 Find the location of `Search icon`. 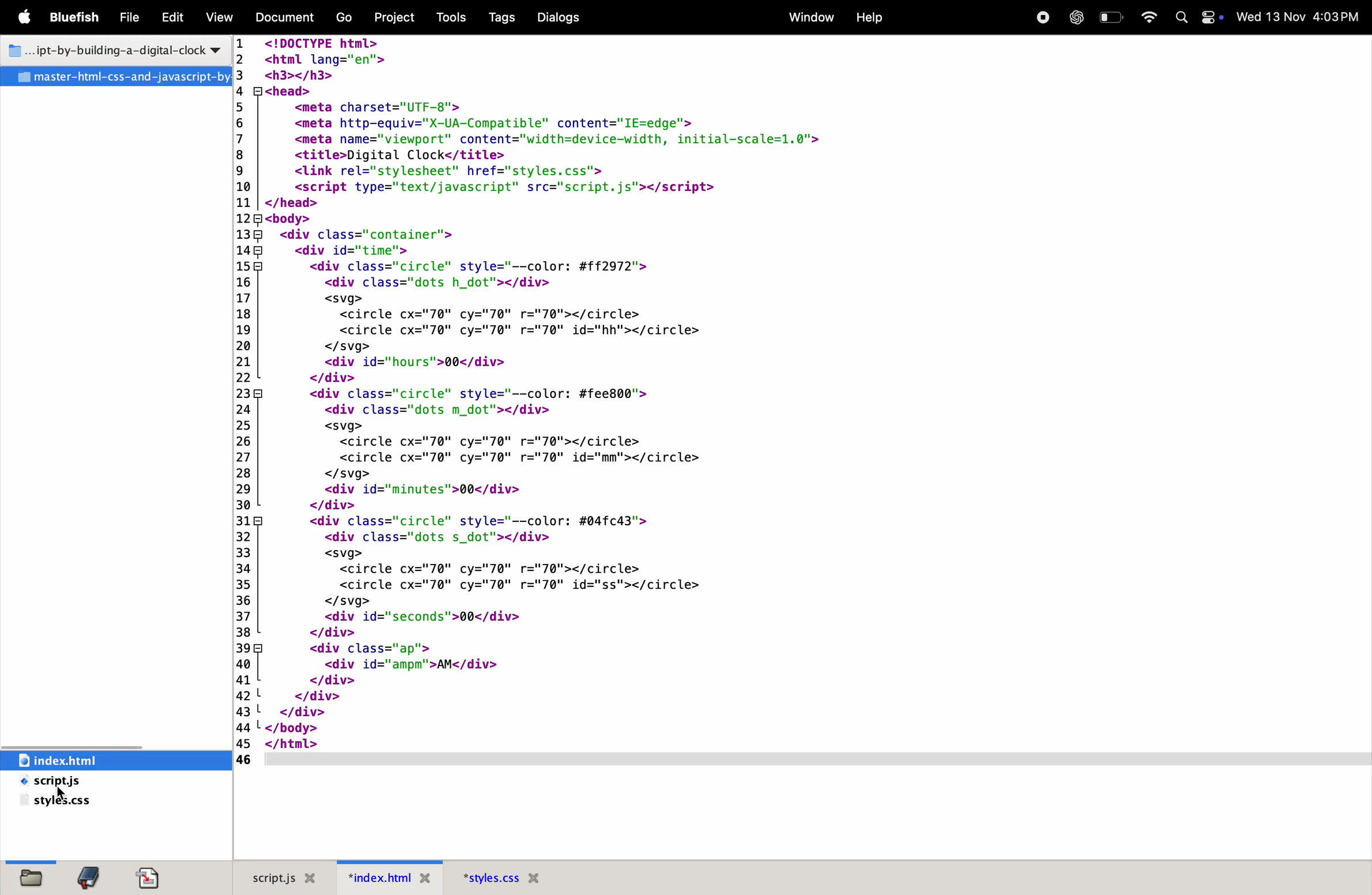

Search icon is located at coordinates (1181, 16).